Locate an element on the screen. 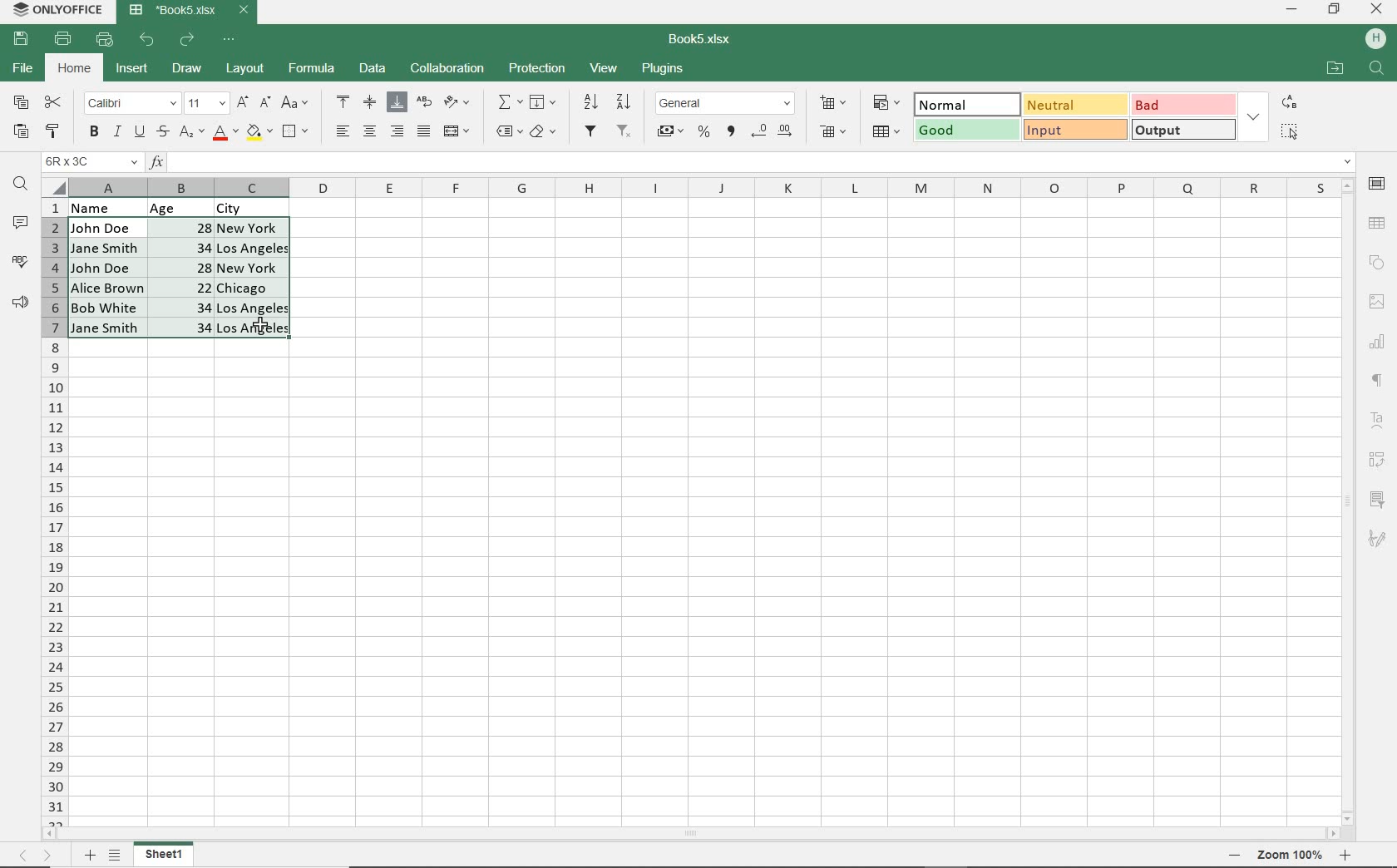 The width and height of the screenshot is (1397, 868). FILE is located at coordinates (21, 69).